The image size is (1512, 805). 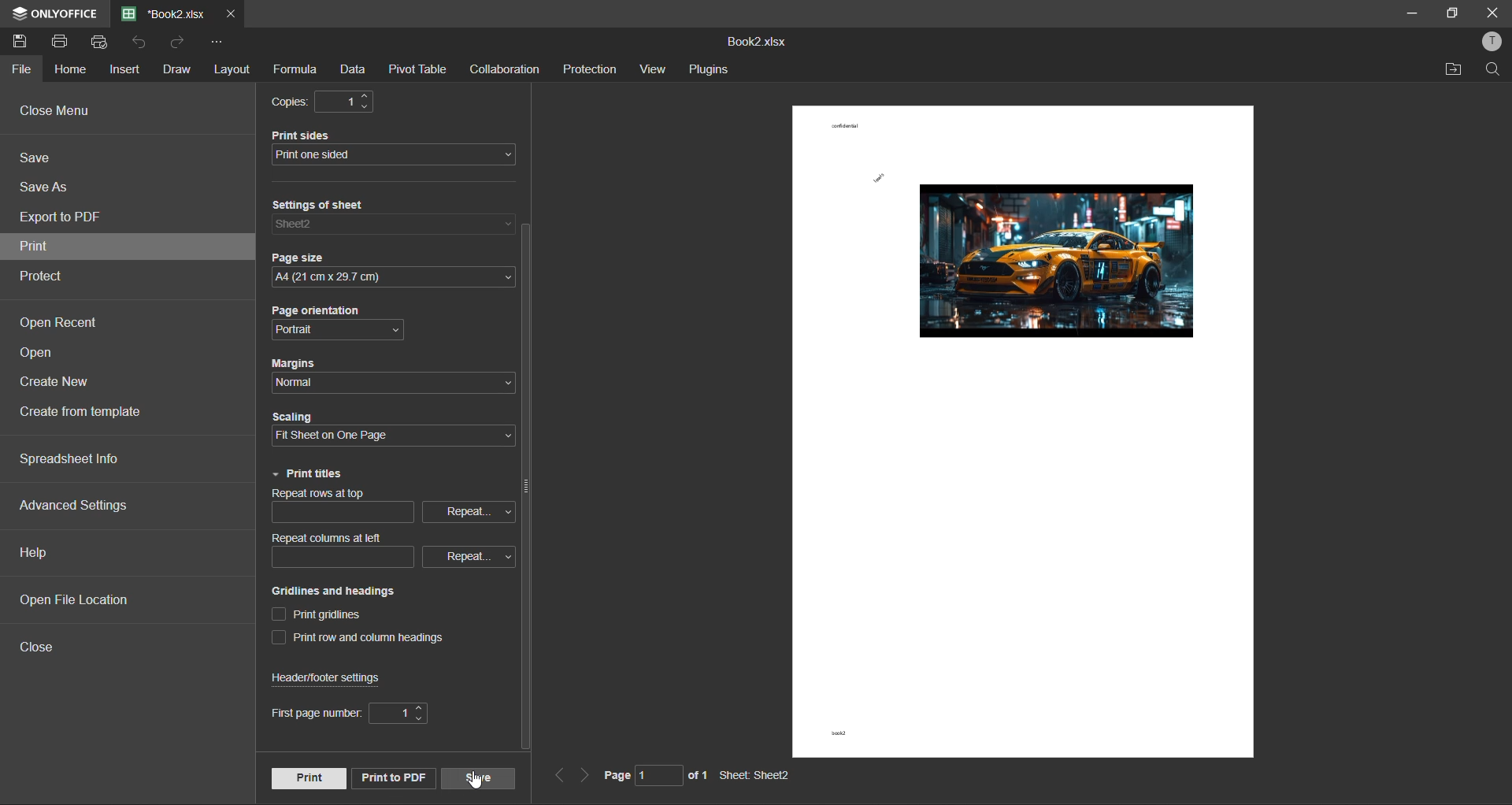 I want to click on print, so click(x=64, y=40).